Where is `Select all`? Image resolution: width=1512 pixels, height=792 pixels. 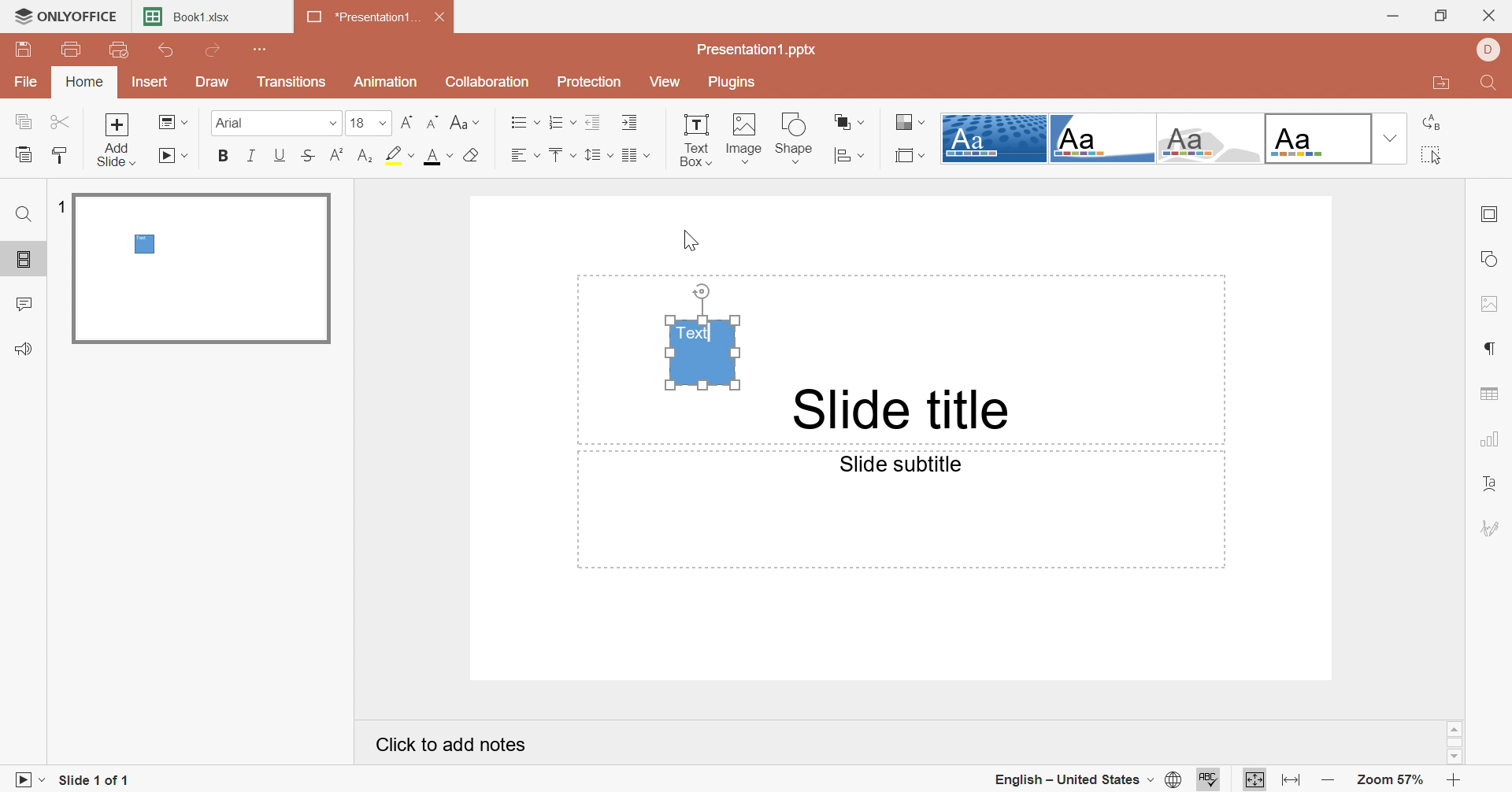 Select all is located at coordinates (1433, 157).